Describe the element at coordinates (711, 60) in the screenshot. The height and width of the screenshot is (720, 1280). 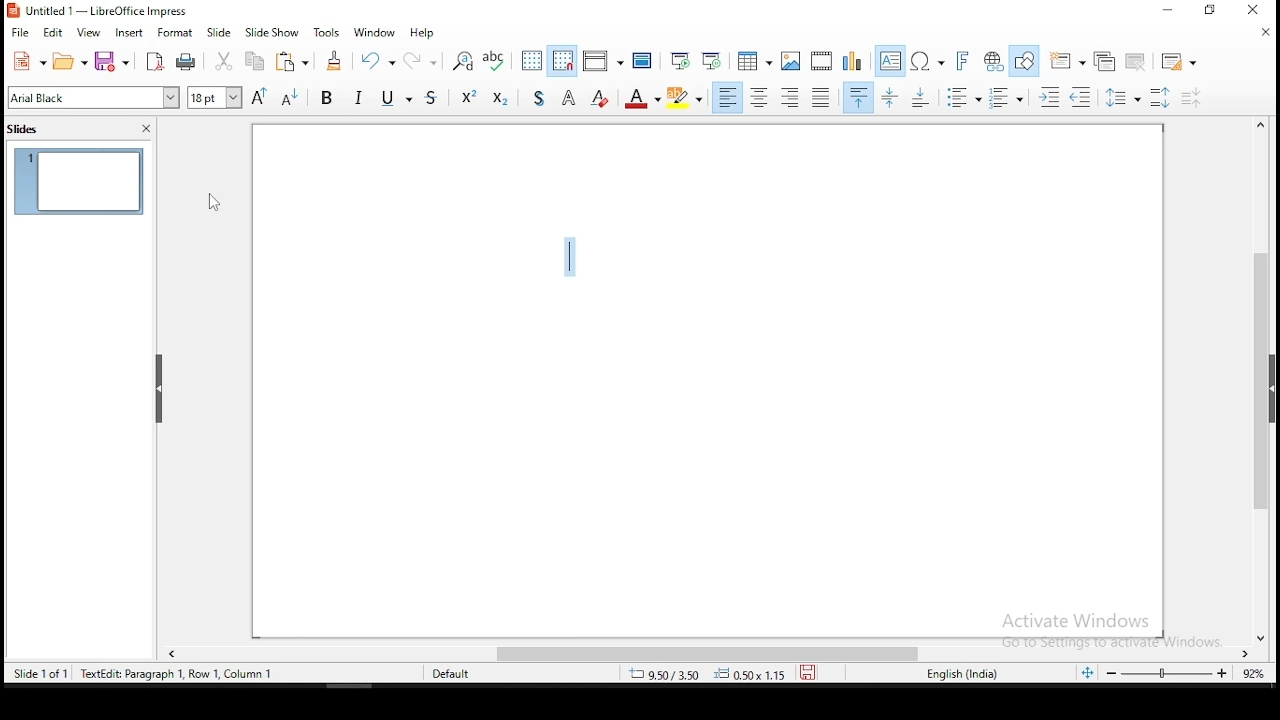
I see `start from current slide` at that location.